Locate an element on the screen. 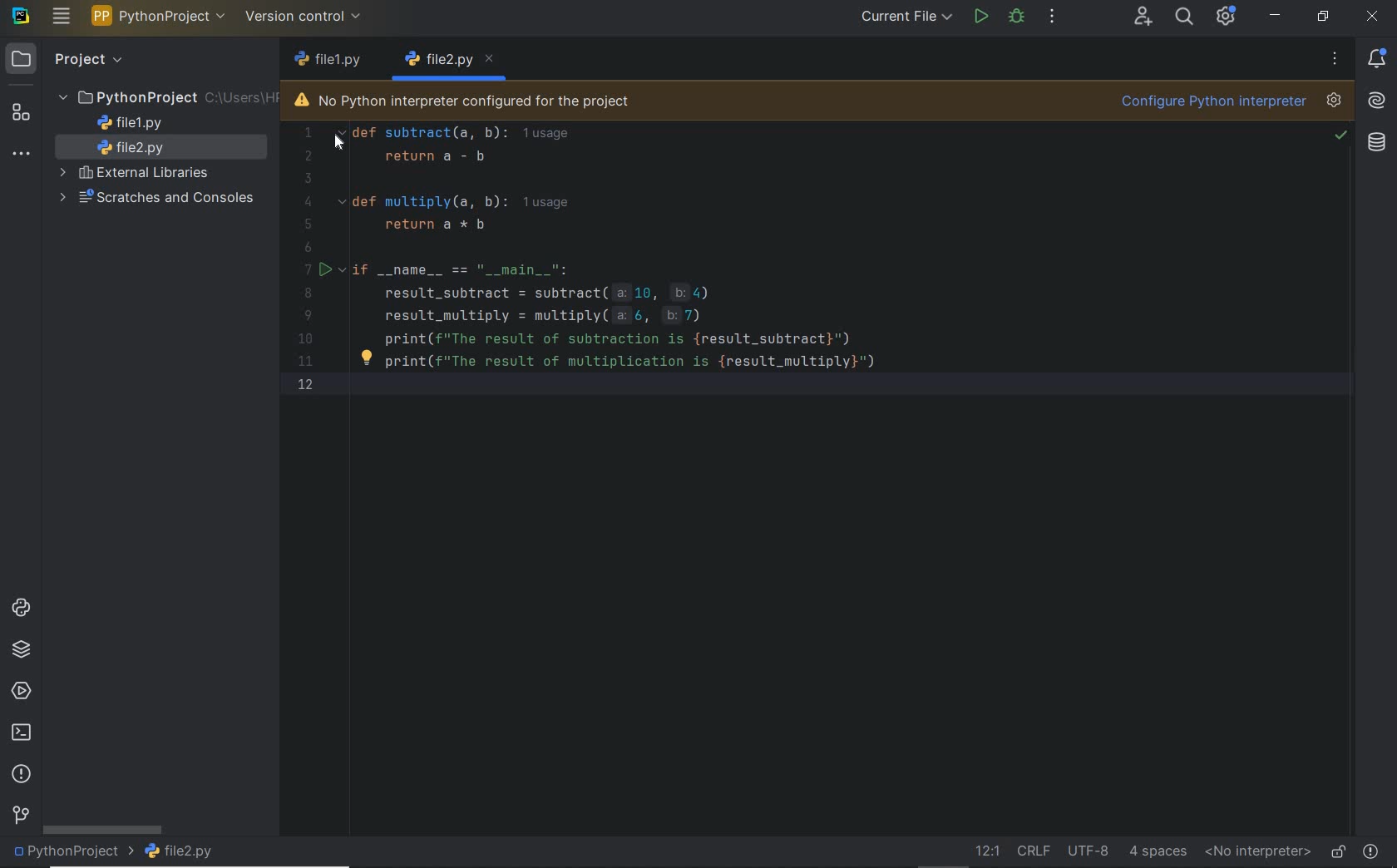  more options is located at coordinates (1333, 58).